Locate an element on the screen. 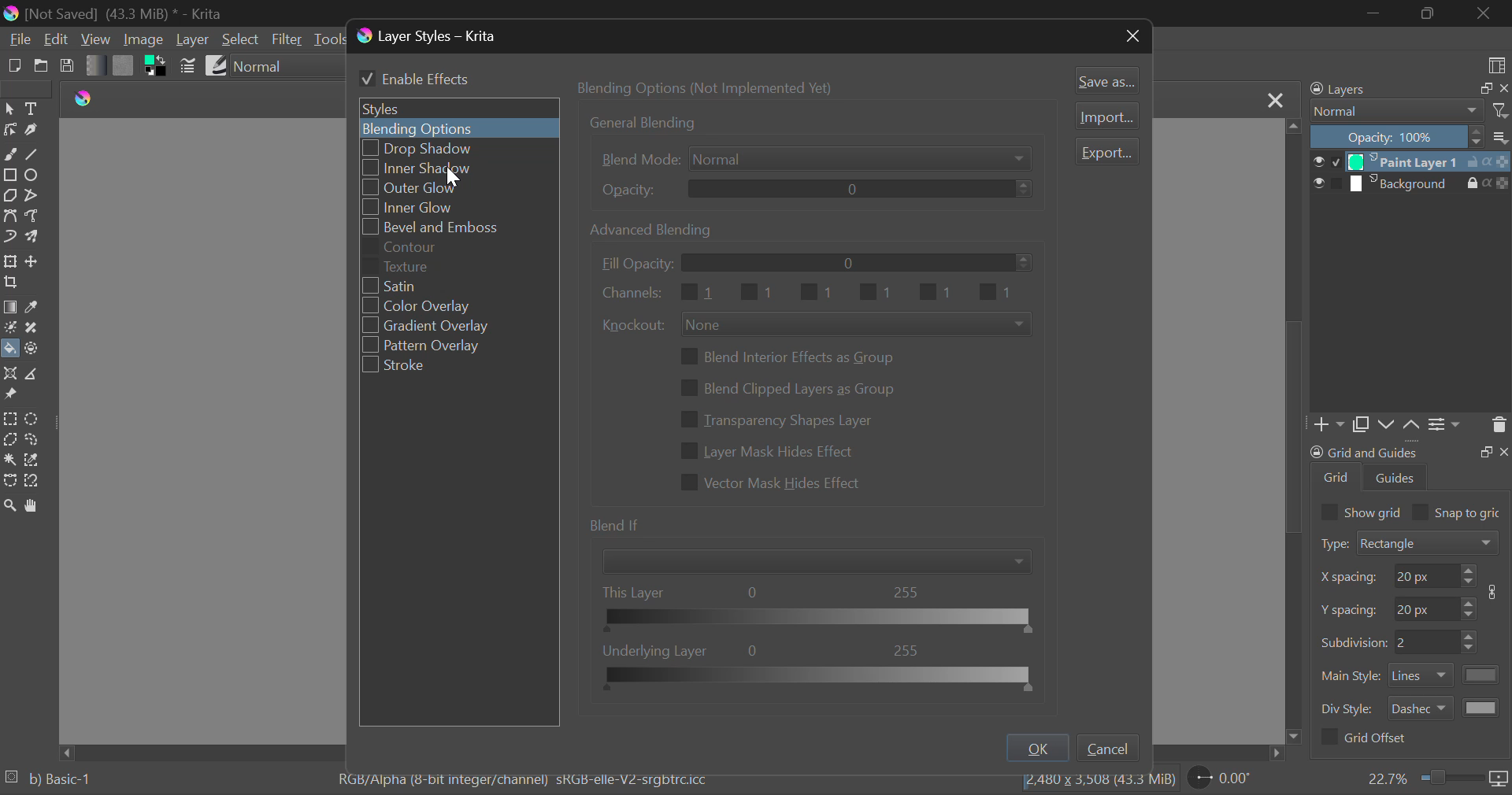 The image size is (1512, 795). Tools is located at coordinates (332, 39).